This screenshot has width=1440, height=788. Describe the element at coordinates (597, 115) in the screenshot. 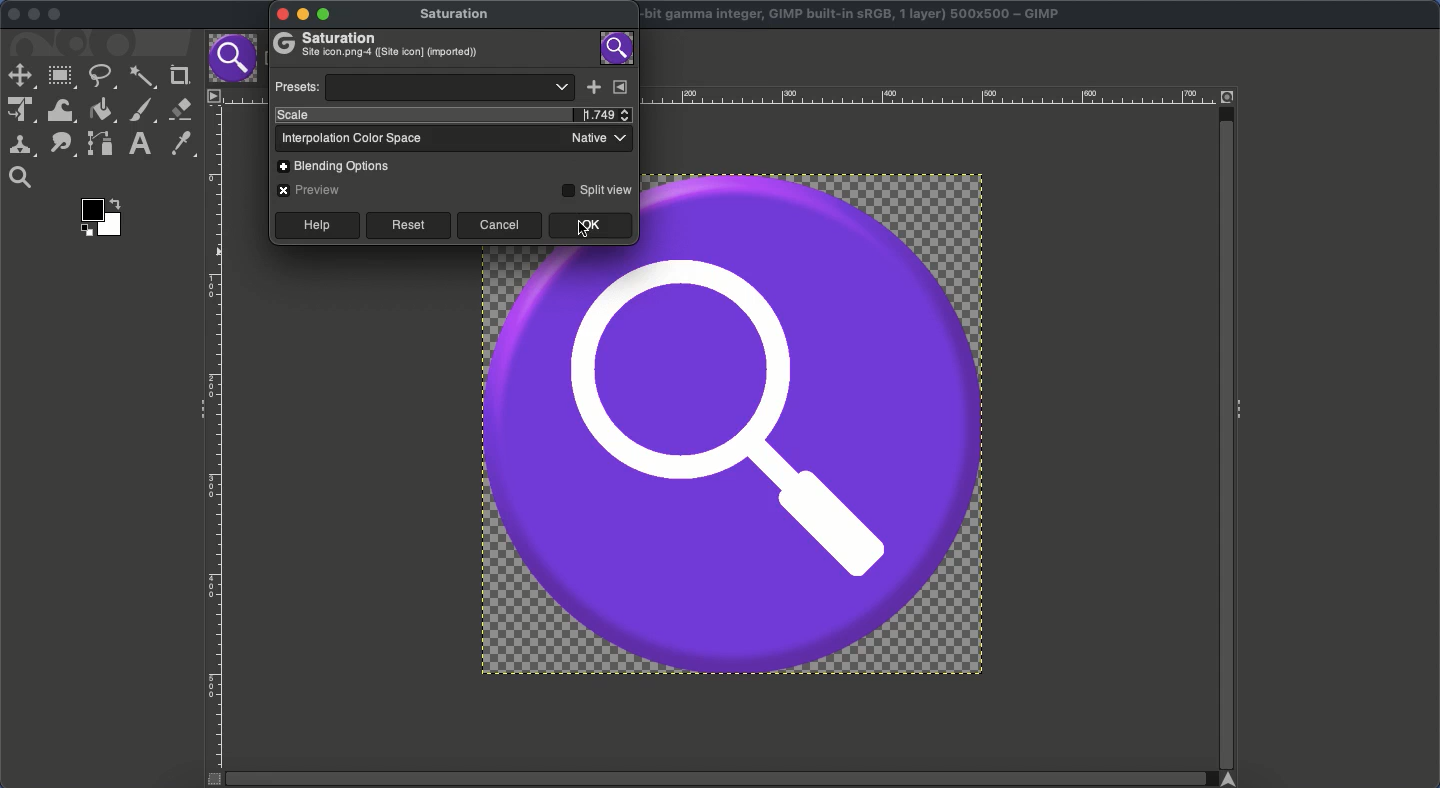

I see `Increased saturation` at that location.